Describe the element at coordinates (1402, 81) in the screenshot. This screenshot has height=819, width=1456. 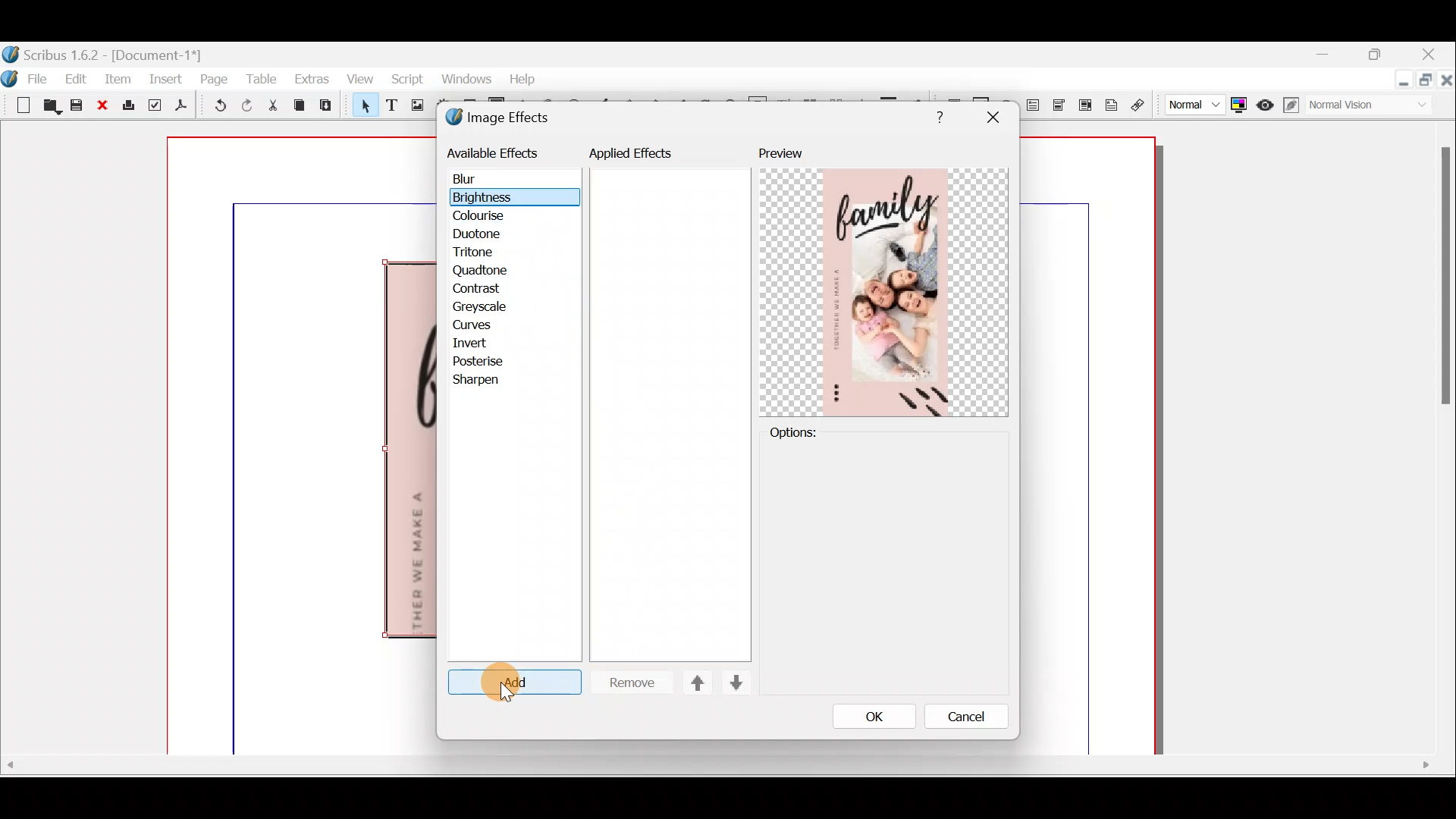
I see `Minimise` at that location.